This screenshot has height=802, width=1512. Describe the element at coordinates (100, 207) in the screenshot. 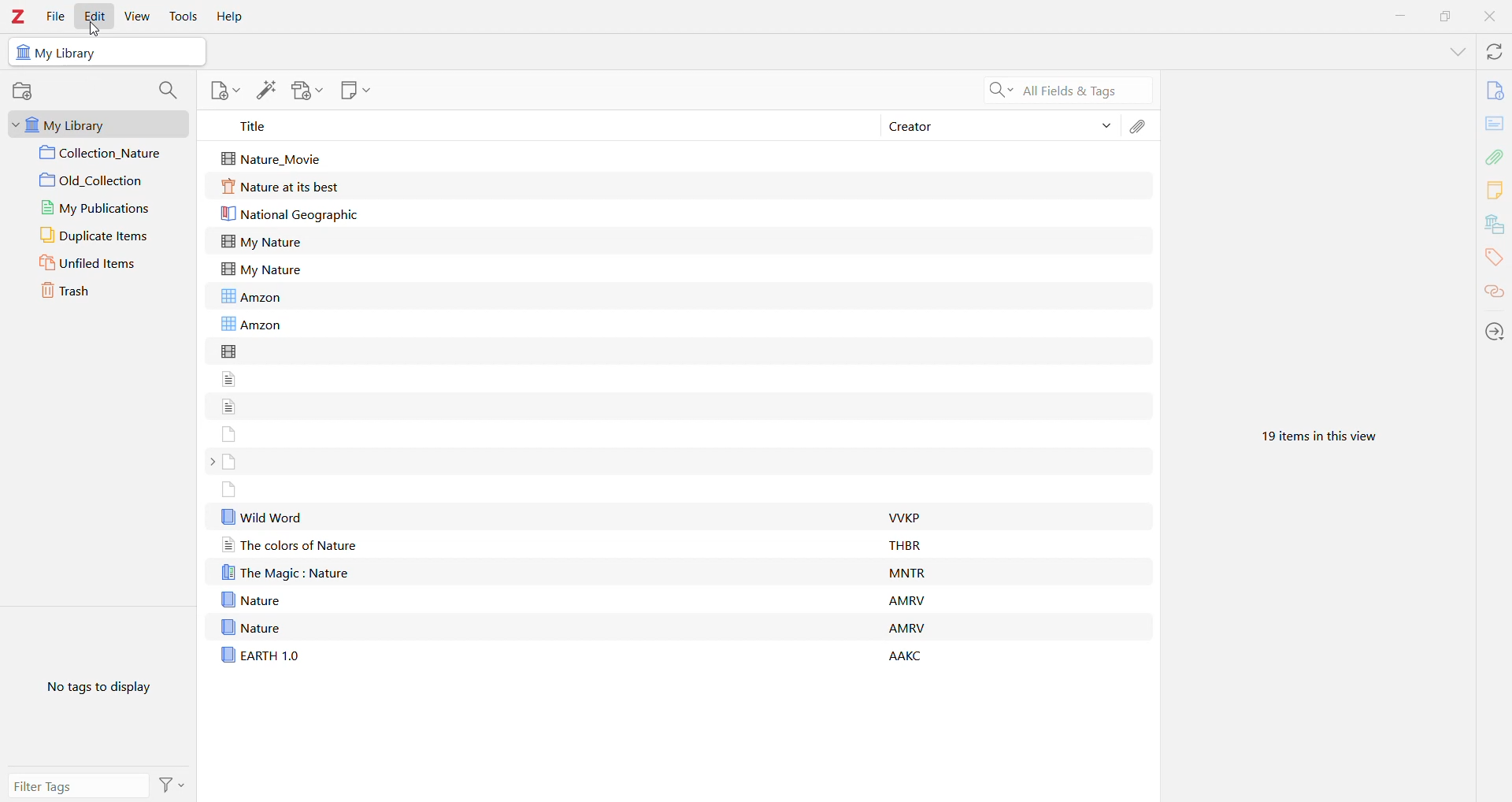

I see `My Publications` at that location.